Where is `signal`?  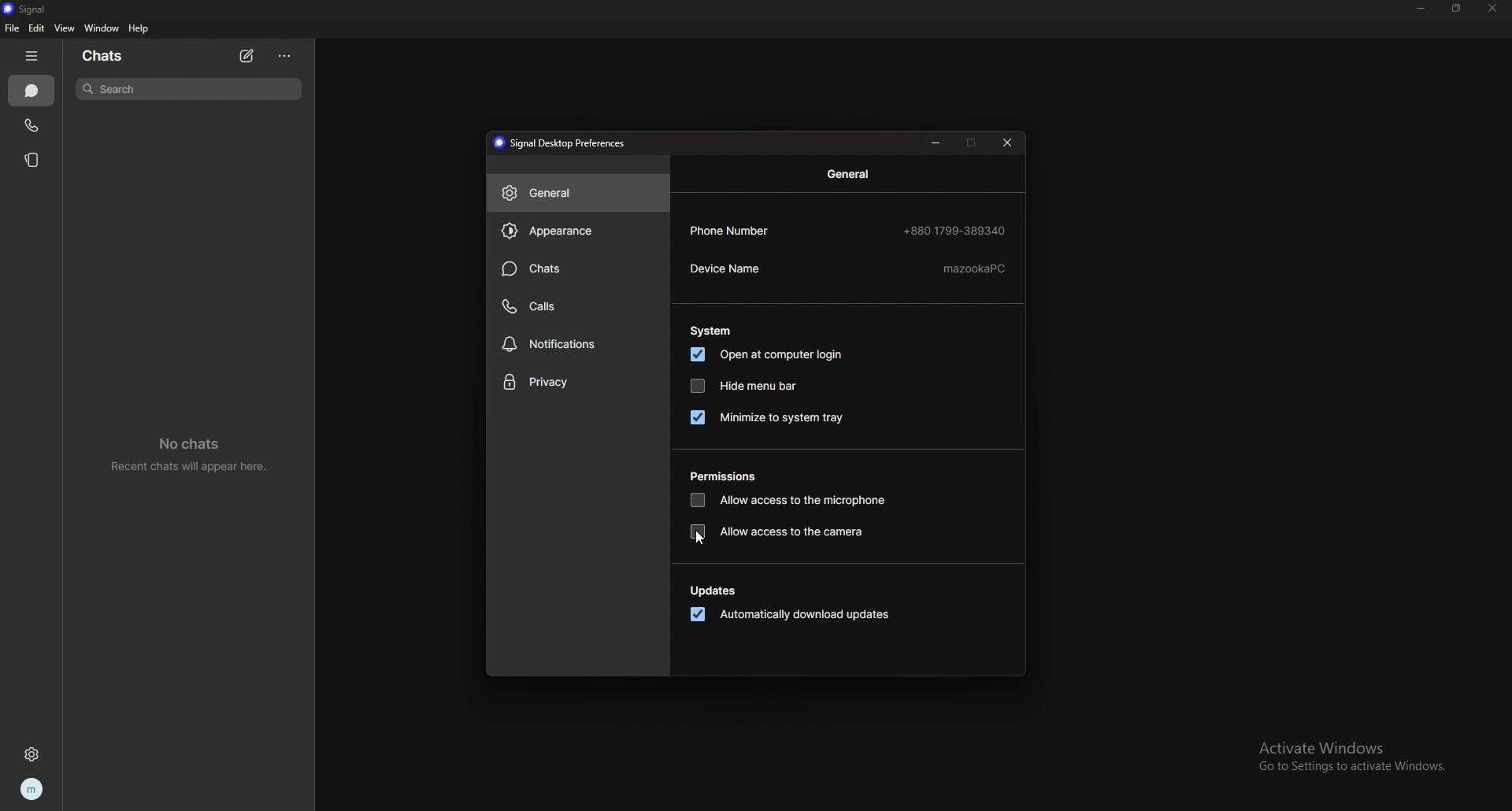 signal is located at coordinates (25, 9).